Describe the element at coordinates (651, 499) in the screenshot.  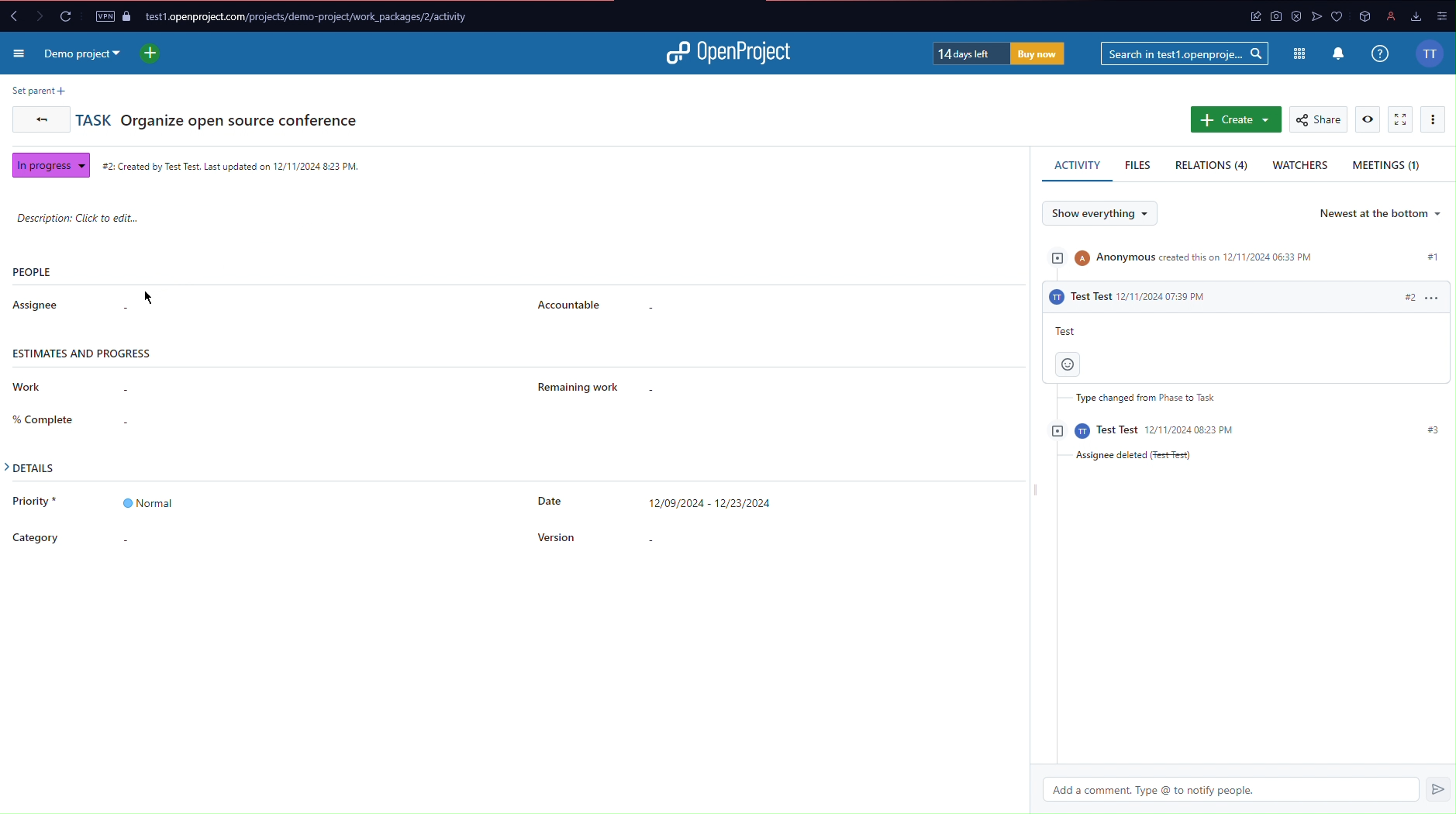
I see `Date` at that location.